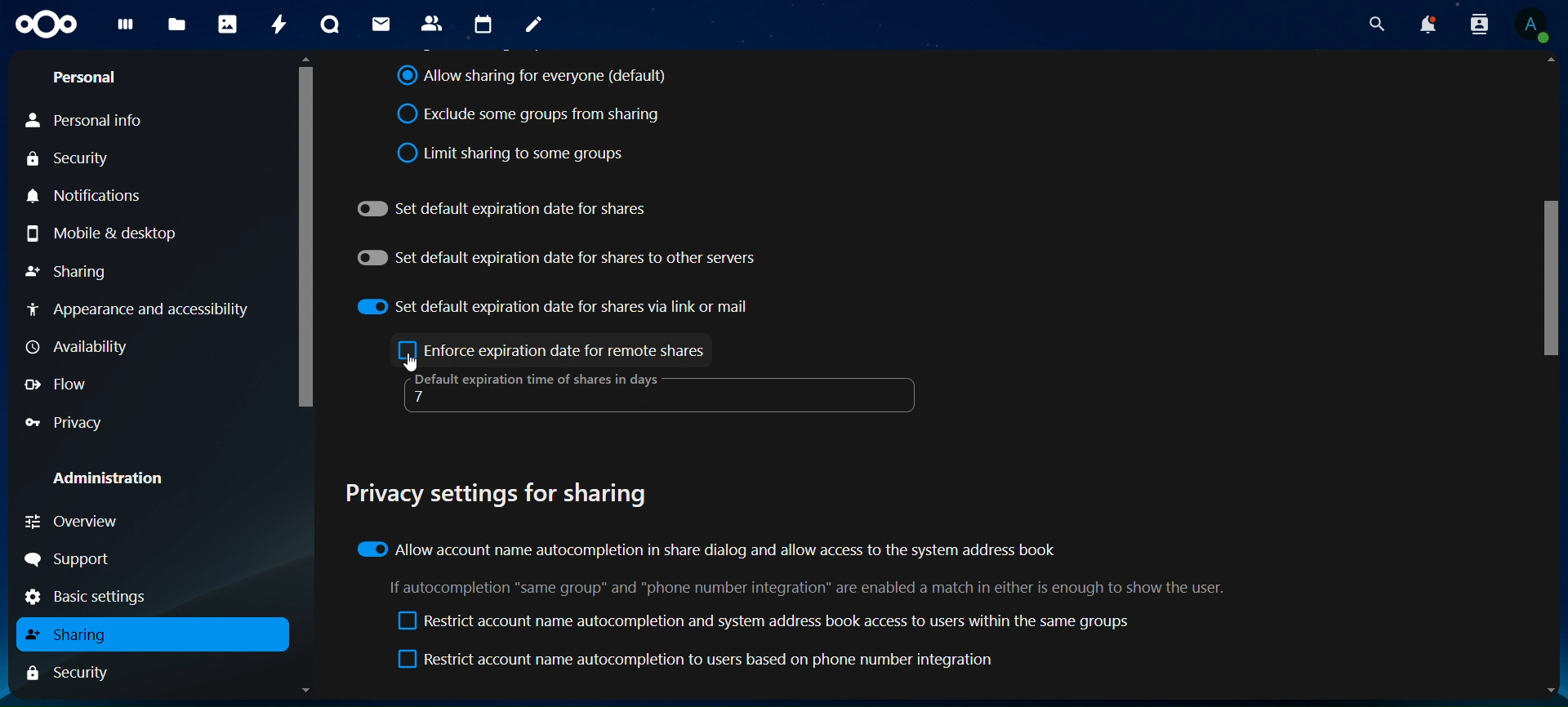 The image size is (1568, 707). Describe the element at coordinates (707, 548) in the screenshot. I see `allow account name autocompletion in share dialog and allow acess to the system address book` at that location.